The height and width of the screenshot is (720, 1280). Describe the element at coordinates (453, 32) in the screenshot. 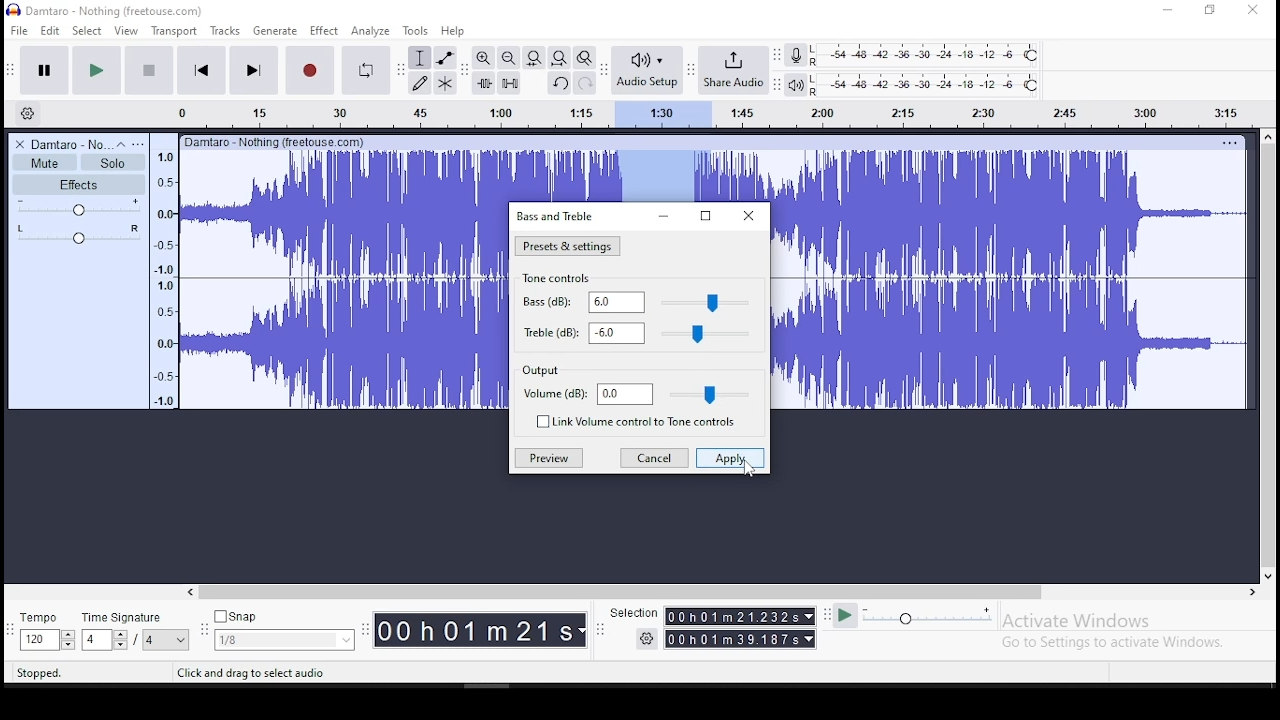

I see `help` at that location.